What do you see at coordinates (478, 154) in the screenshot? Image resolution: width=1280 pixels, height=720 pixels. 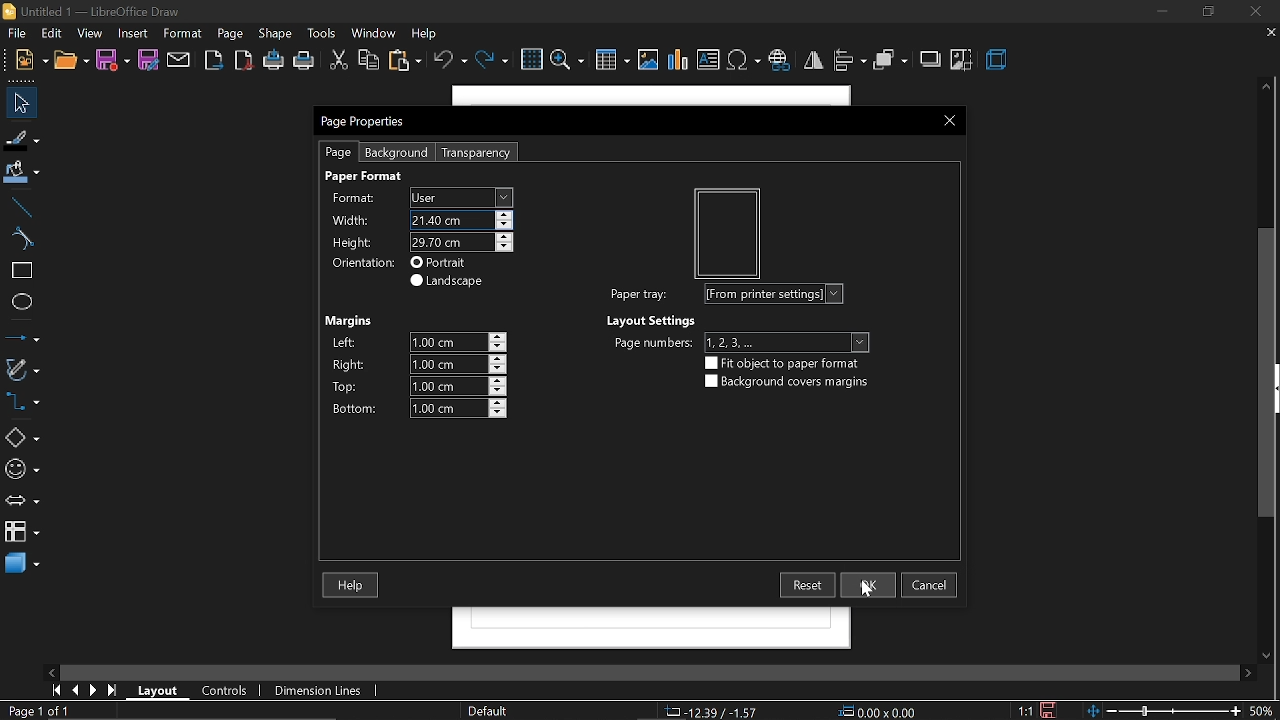 I see `transparency` at bounding box center [478, 154].